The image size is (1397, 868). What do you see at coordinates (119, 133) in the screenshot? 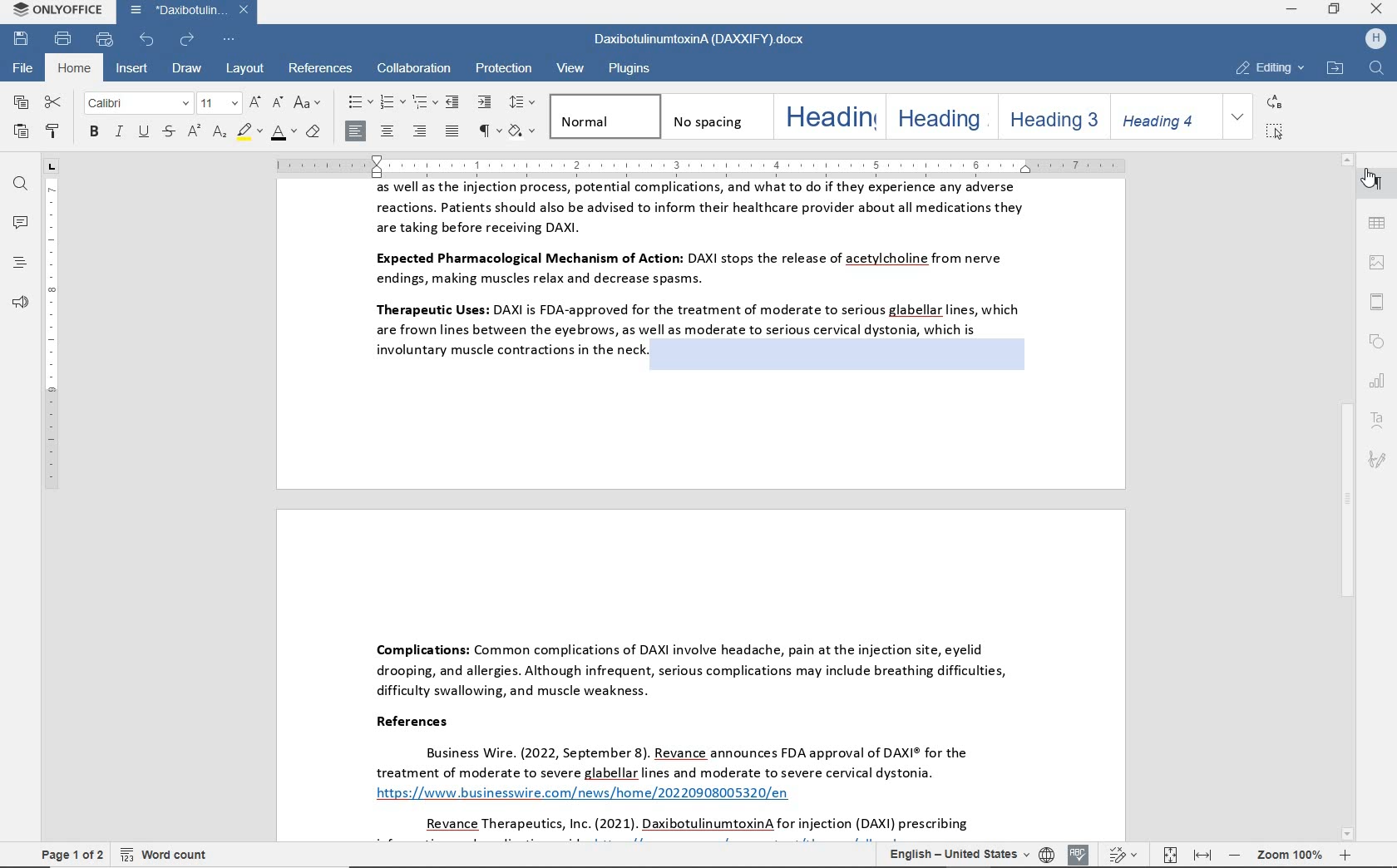
I see `italic` at bounding box center [119, 133].